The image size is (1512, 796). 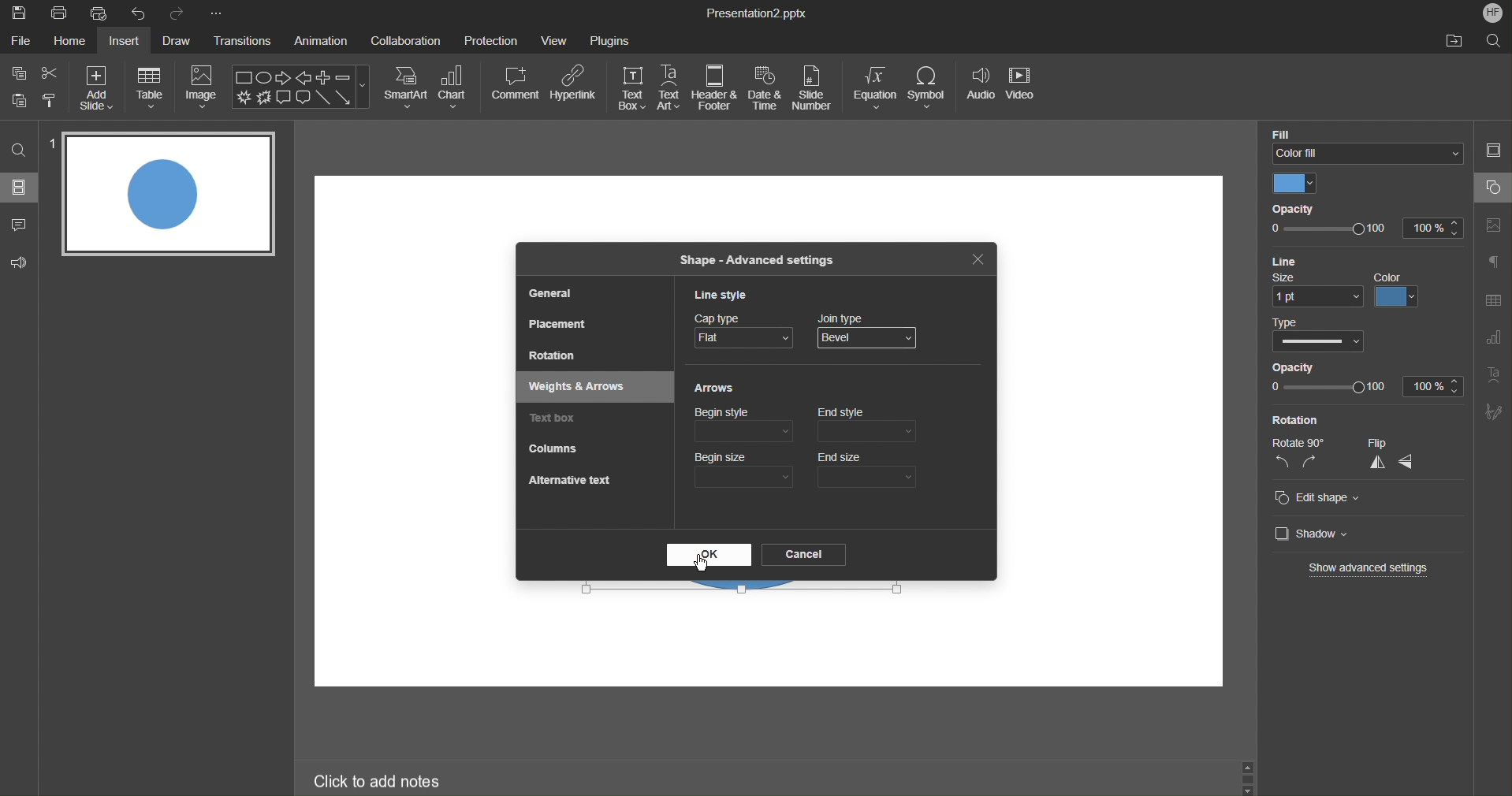 I want to click on Columns, so click(x=553, y=448).